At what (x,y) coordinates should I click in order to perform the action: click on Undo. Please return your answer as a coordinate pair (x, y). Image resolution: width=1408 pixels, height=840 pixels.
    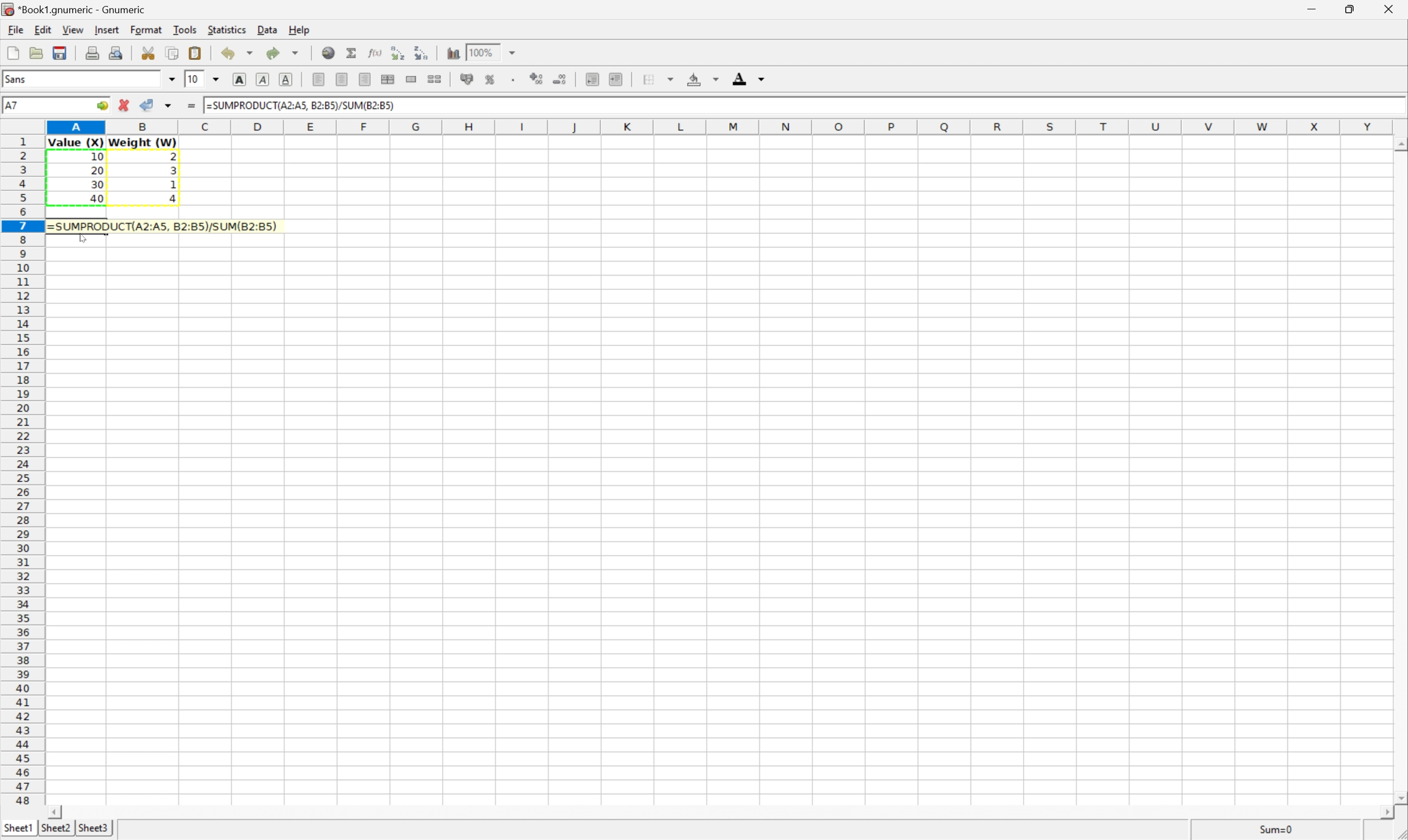
    Looking at the image, I should click on (239, 52).